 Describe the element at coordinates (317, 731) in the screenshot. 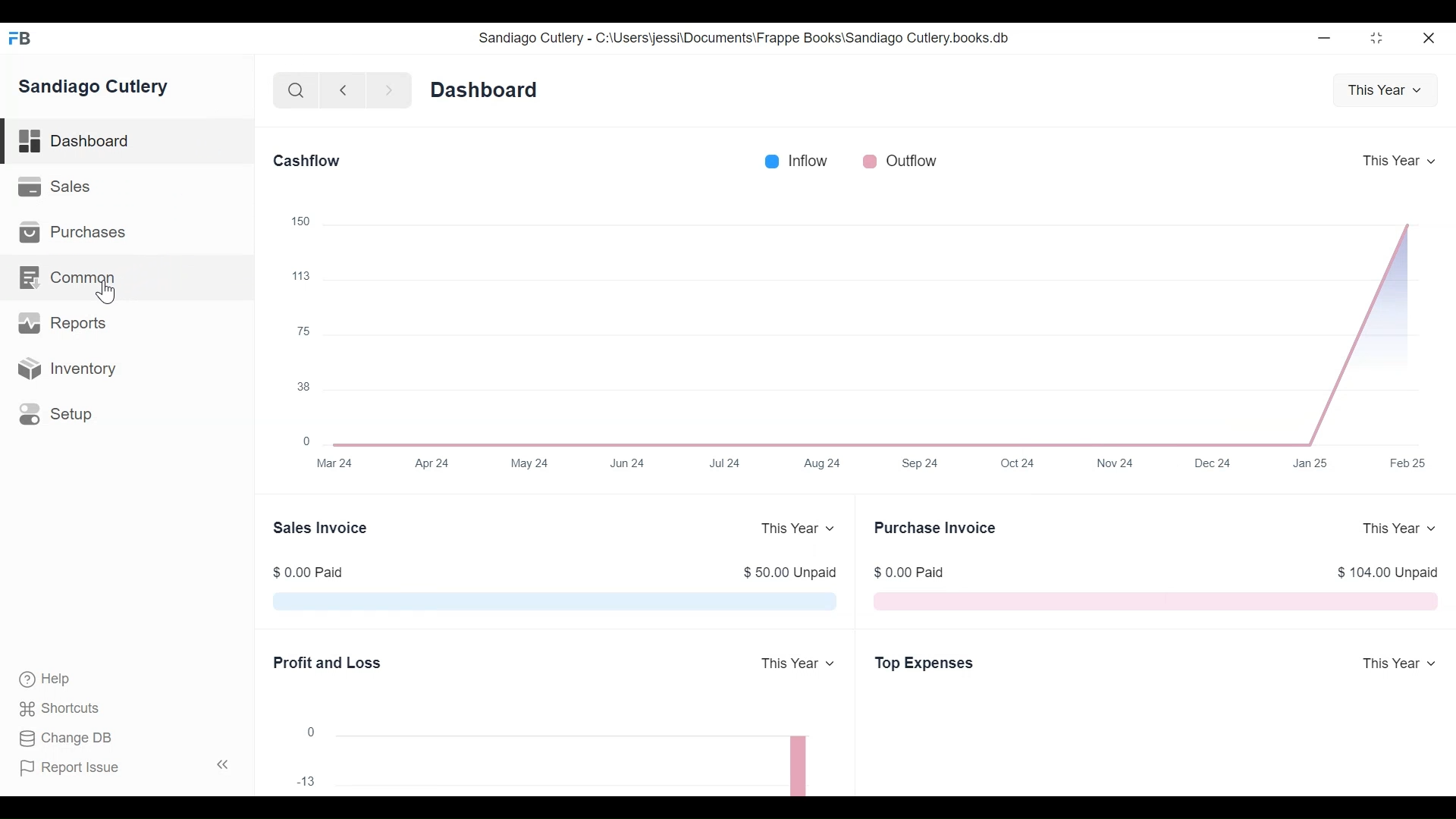

I see `0` at that location.